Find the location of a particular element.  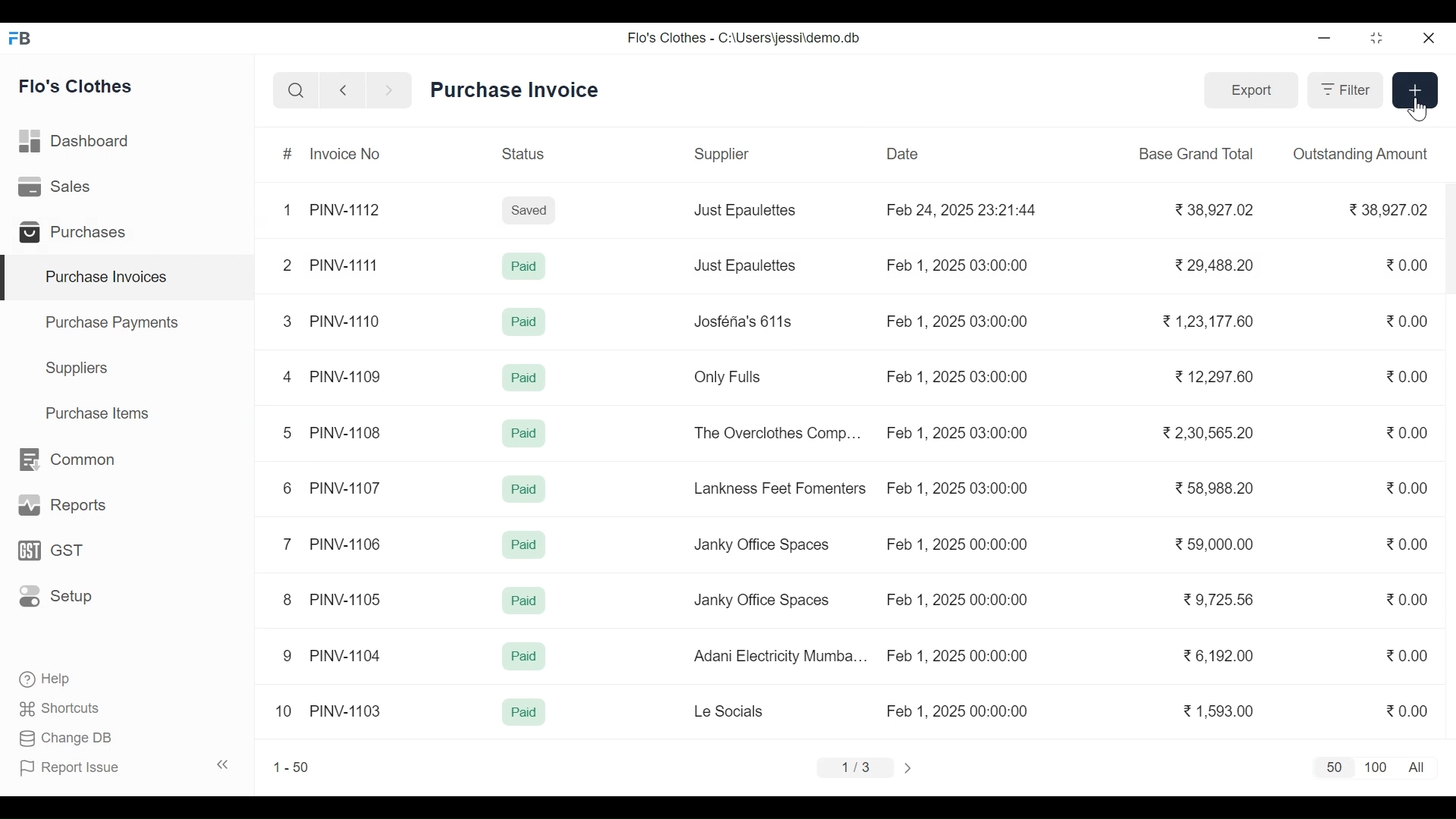

PINV-1103 is located at coordinates (347, 708).